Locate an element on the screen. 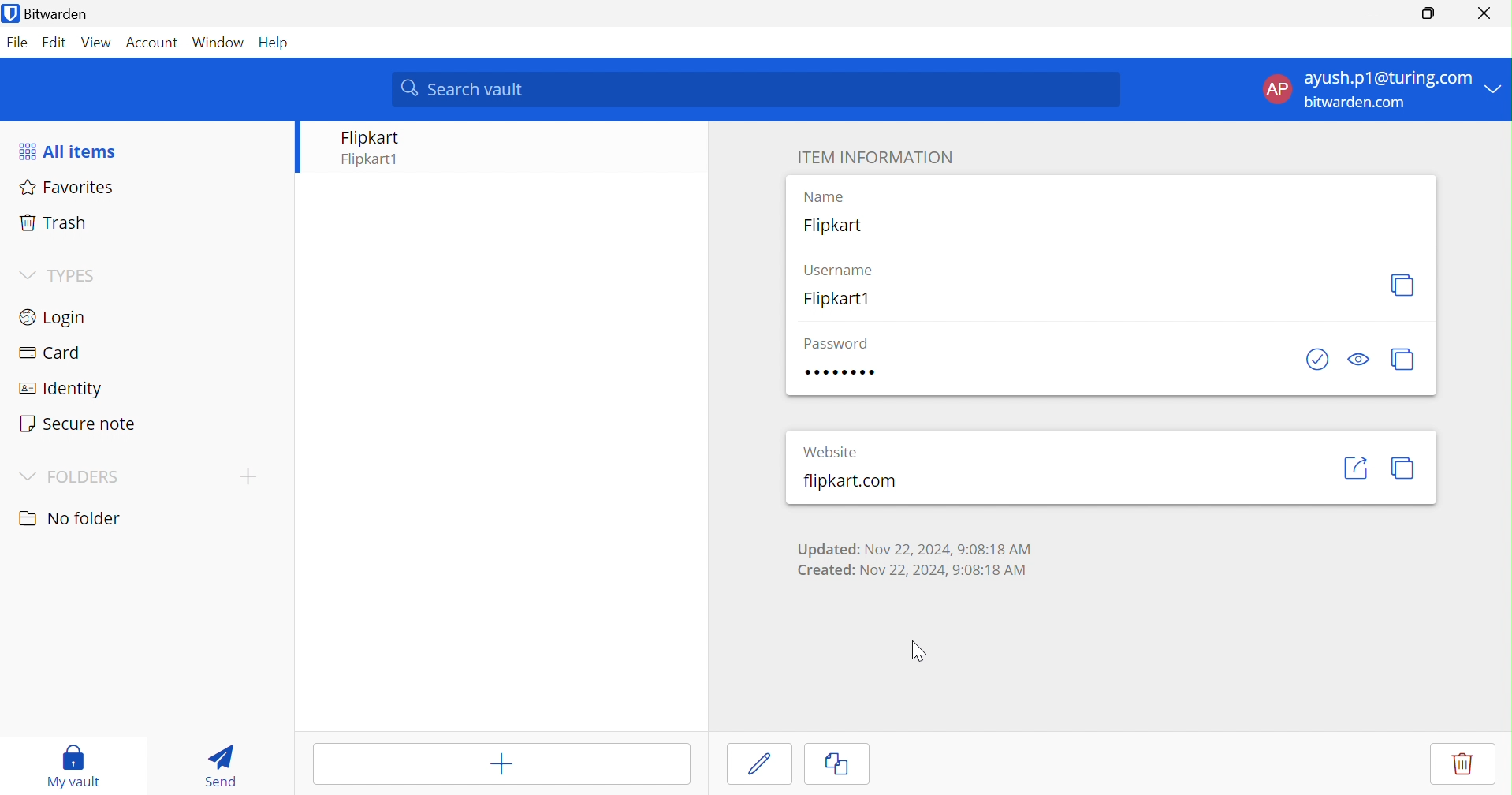 The image size is (1512, 795). Search Vault is located at coordinates (757, 89).